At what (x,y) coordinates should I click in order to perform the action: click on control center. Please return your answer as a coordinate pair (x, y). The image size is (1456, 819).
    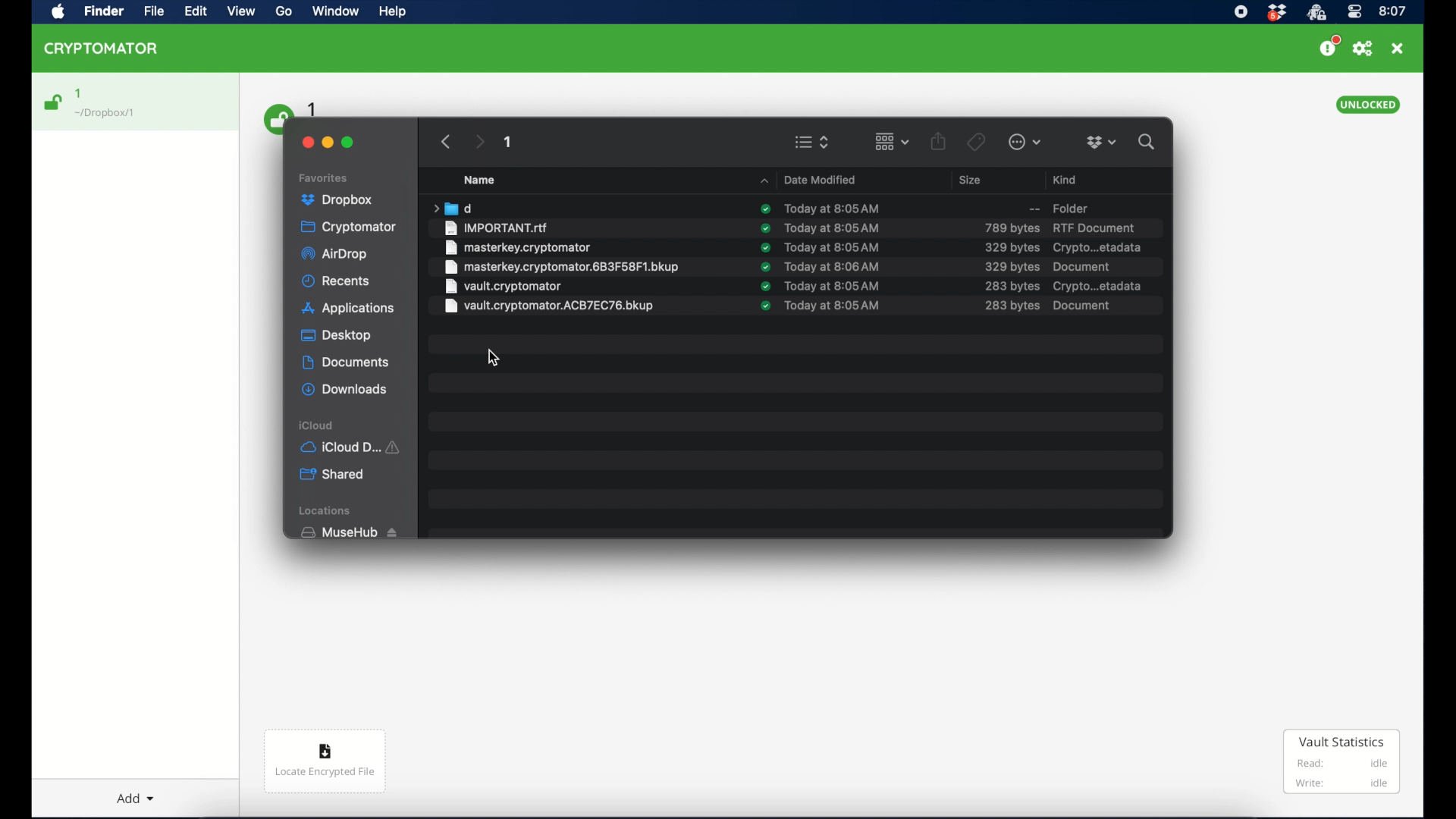
    Looking at the image, I should click on (1354, 12).